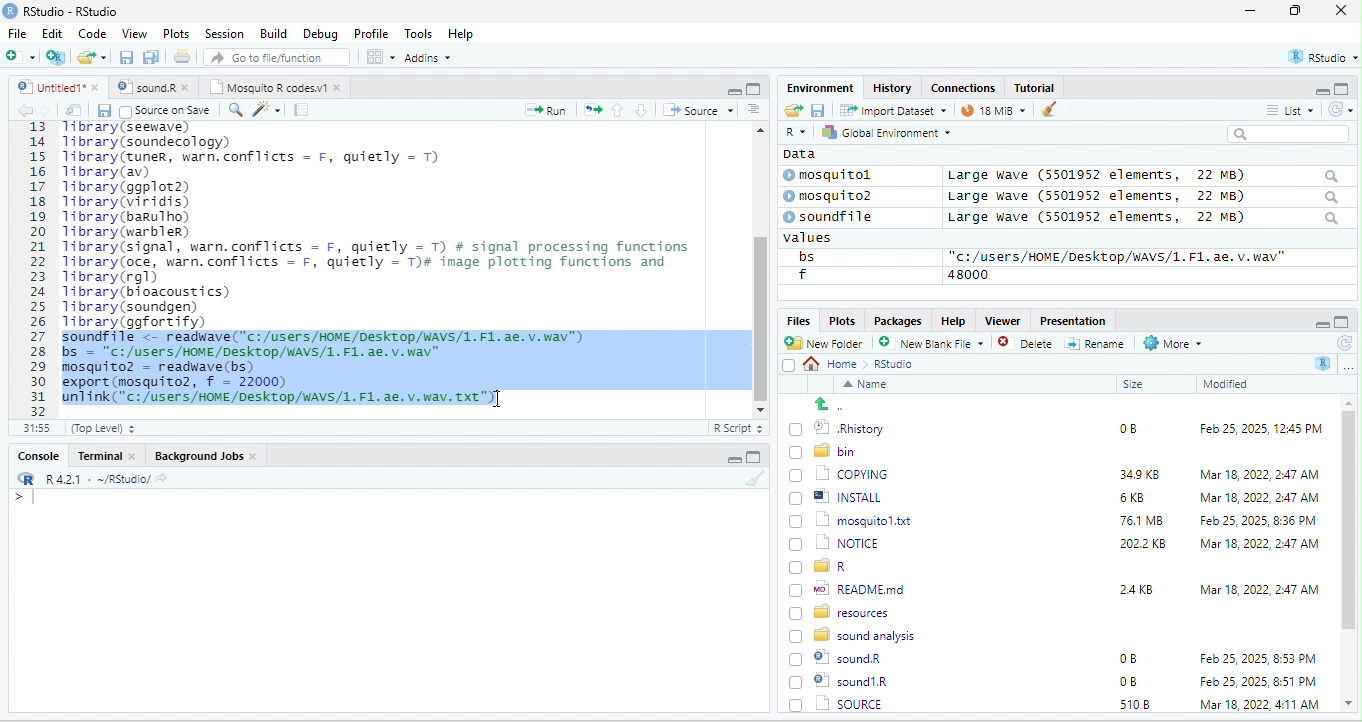 The image size is (1362, 722). Describe the element at coordinates (731, 460) in the screenshot. I see `minimize` at that location.